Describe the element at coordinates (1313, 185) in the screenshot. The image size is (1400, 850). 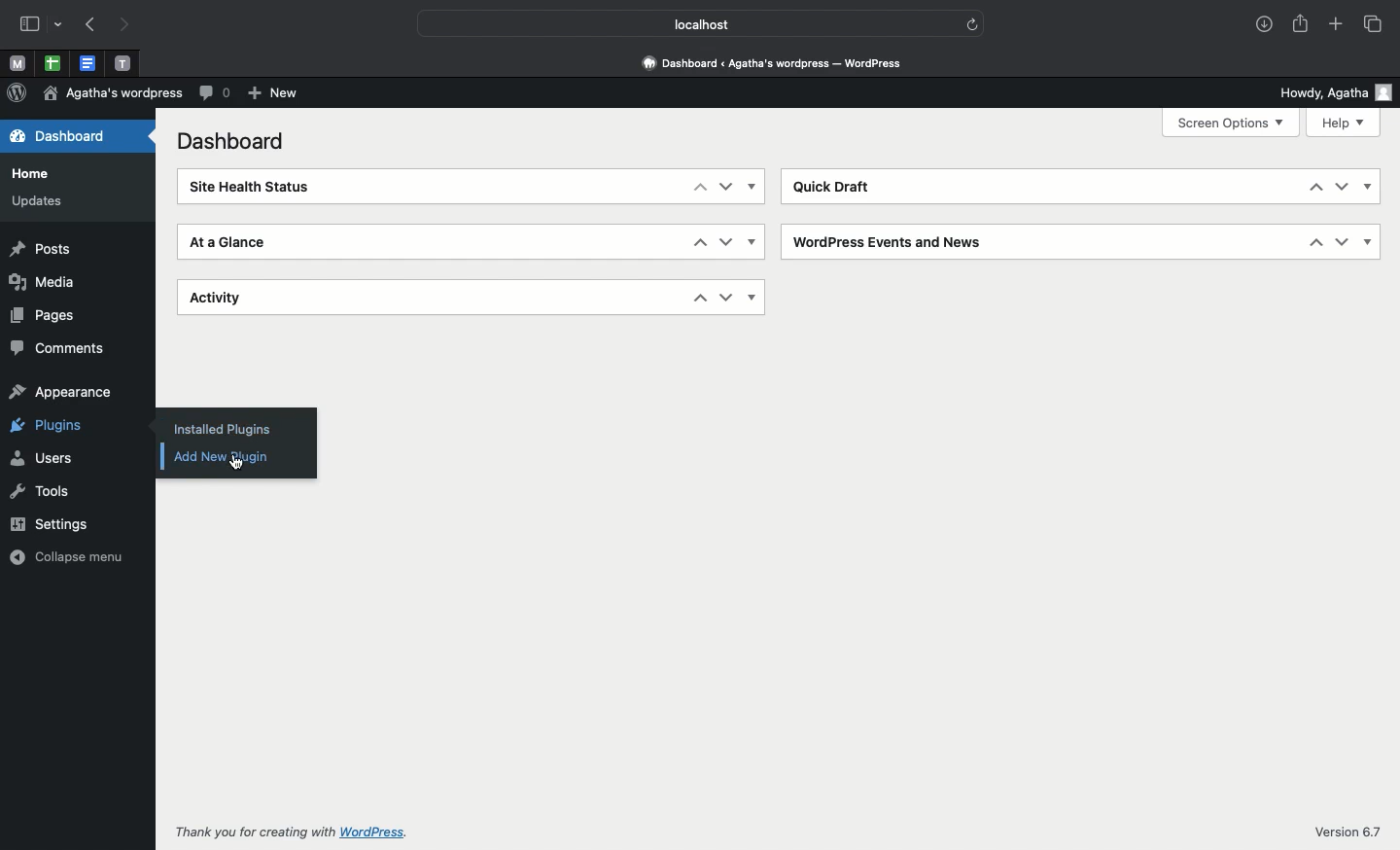
I see `Up` at that location.